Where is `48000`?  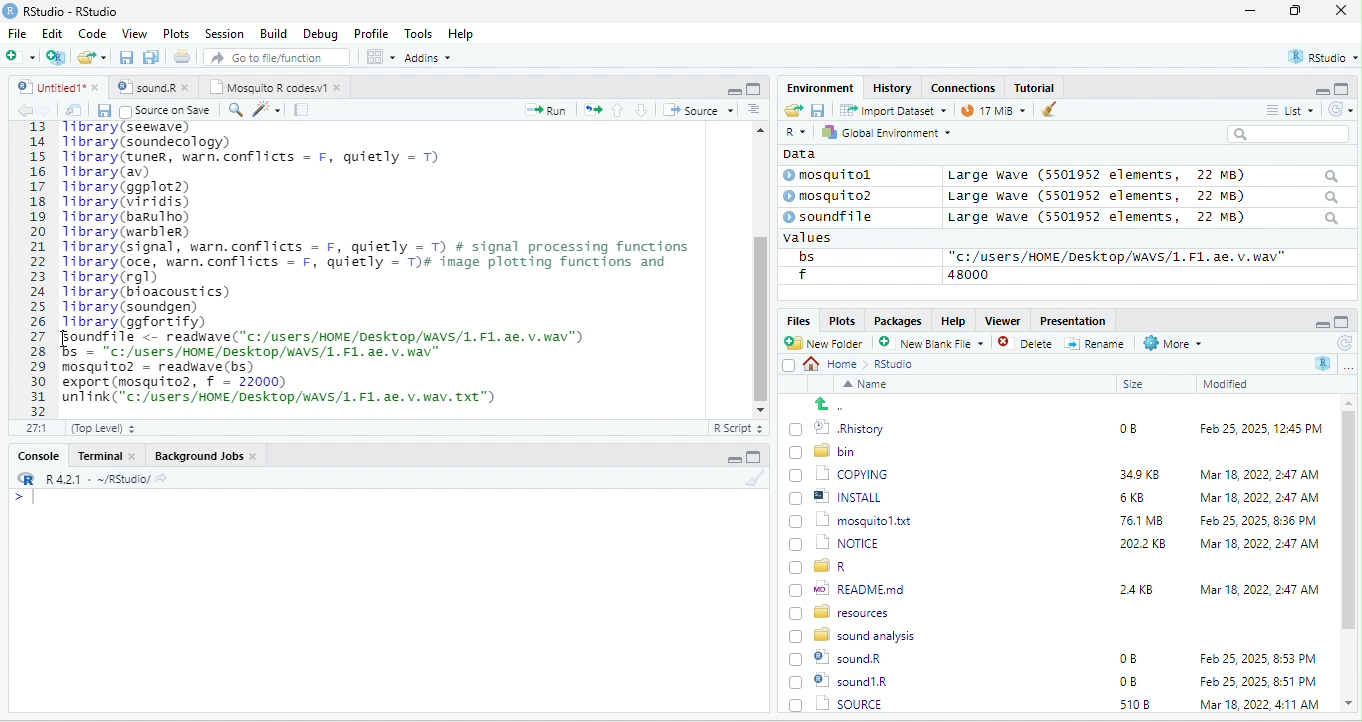 48000 is located at coordinates (969, 274).